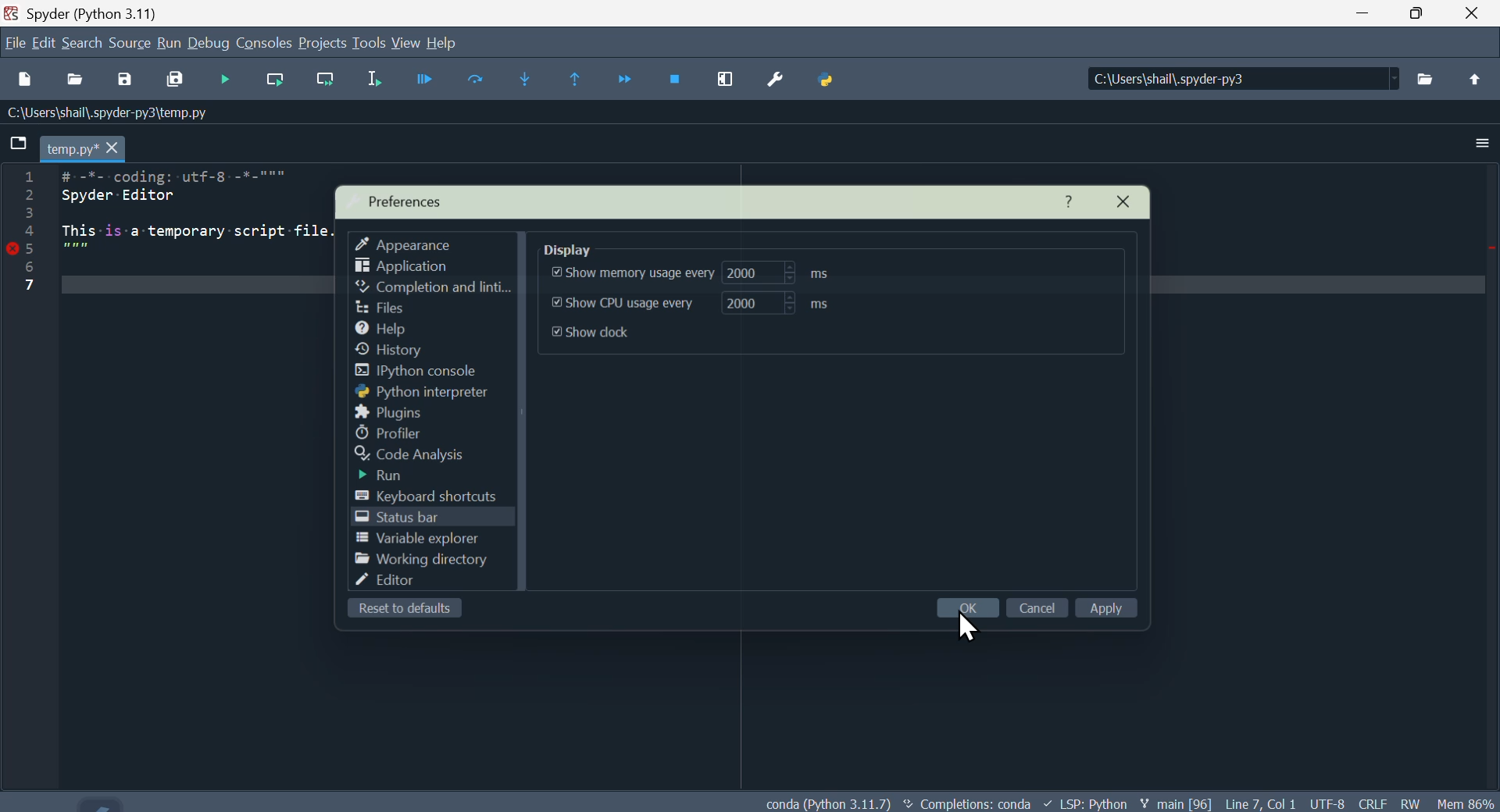 The height and width of the screenshot is (812, 1500). Describe the element at coordinates (1371, 18) in the screenshot. I see `minimise` at that location.